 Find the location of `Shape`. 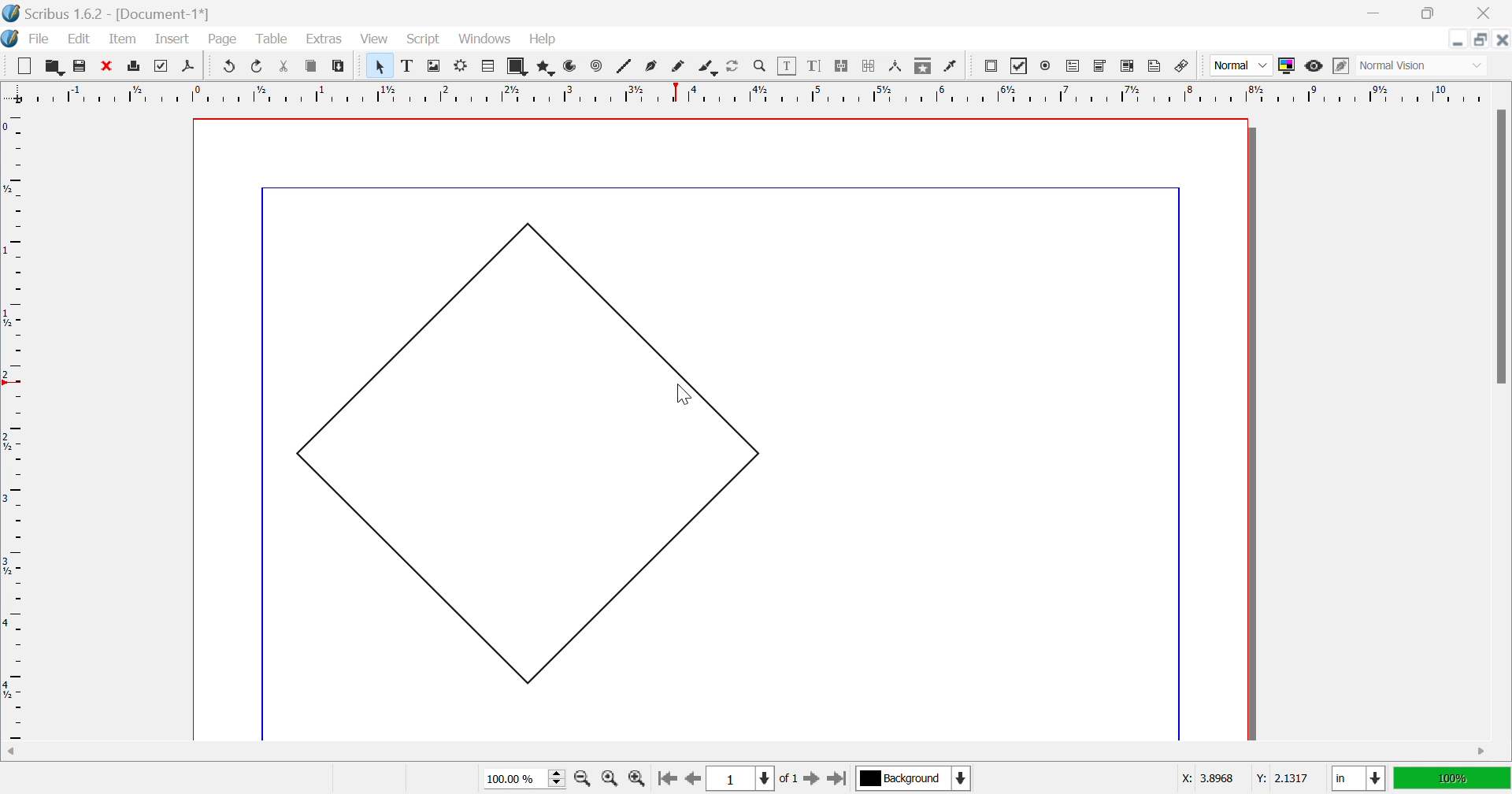

Shape is located at coordinates (520, 67).